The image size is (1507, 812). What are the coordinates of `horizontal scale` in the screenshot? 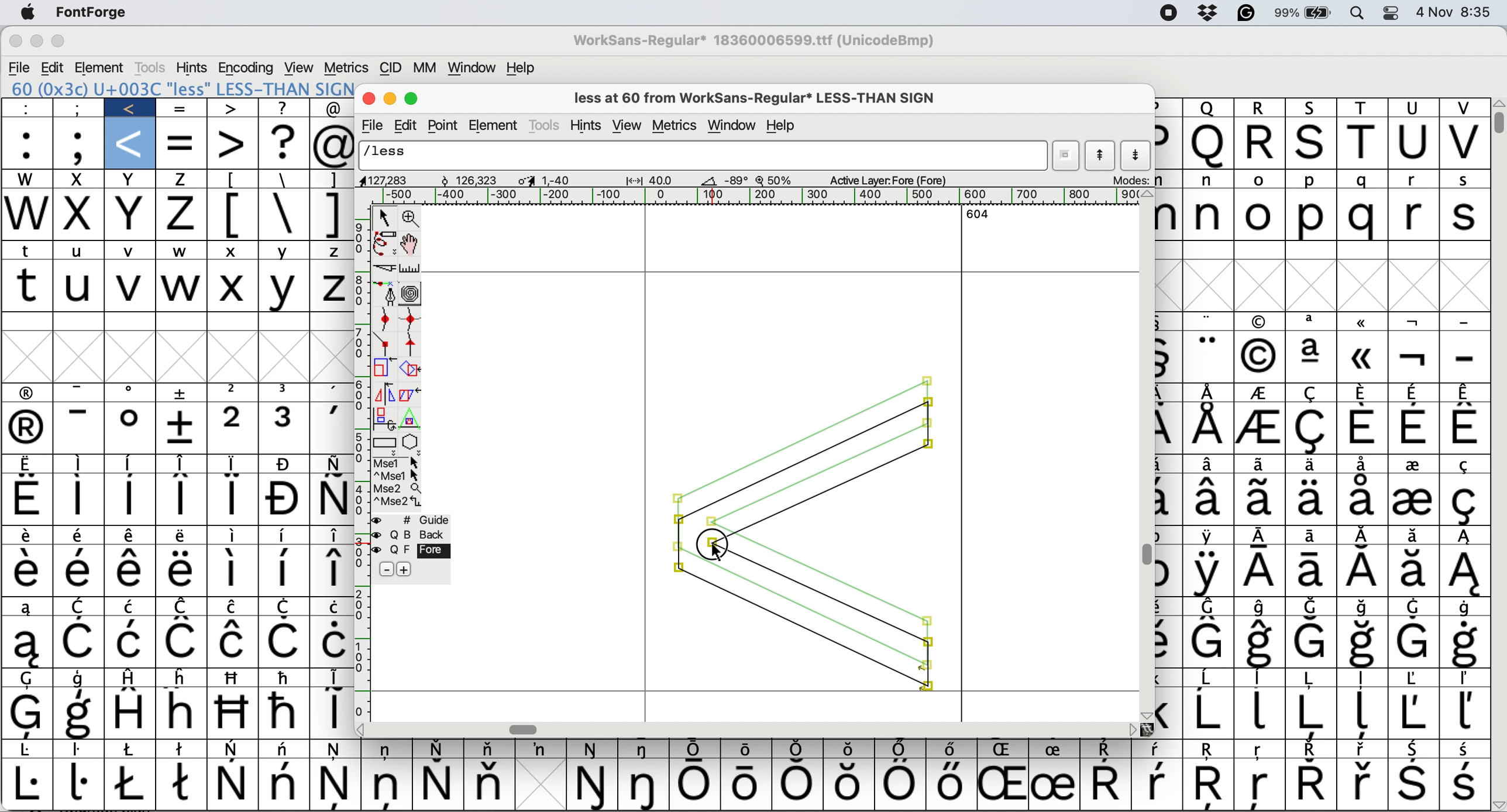 It's located at (747, 197).